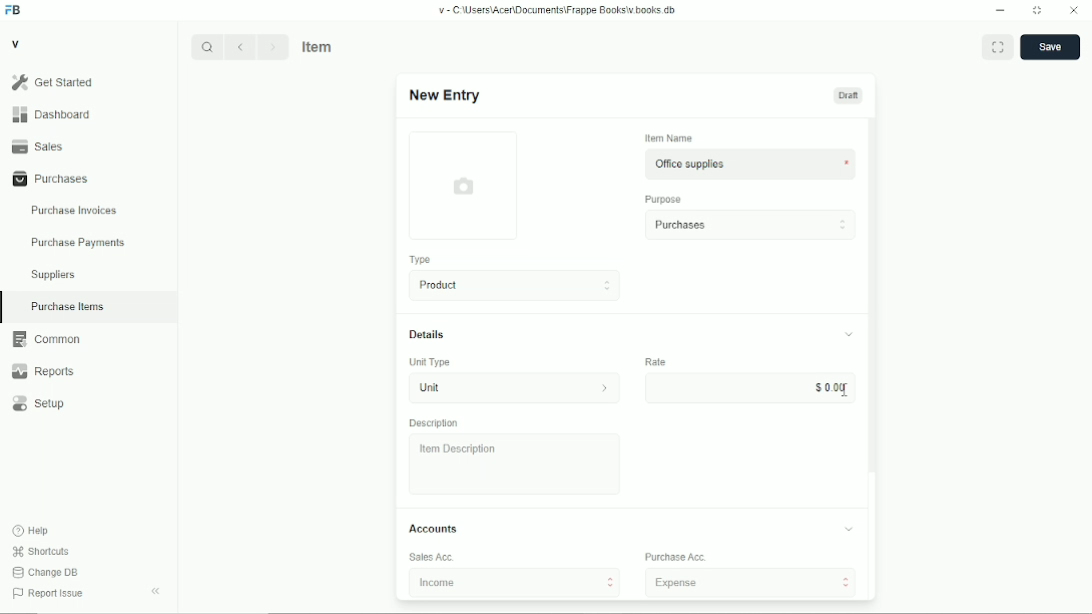  Describe the element at coordinates (32, 531) in the screenshot. I see `help` at that location.